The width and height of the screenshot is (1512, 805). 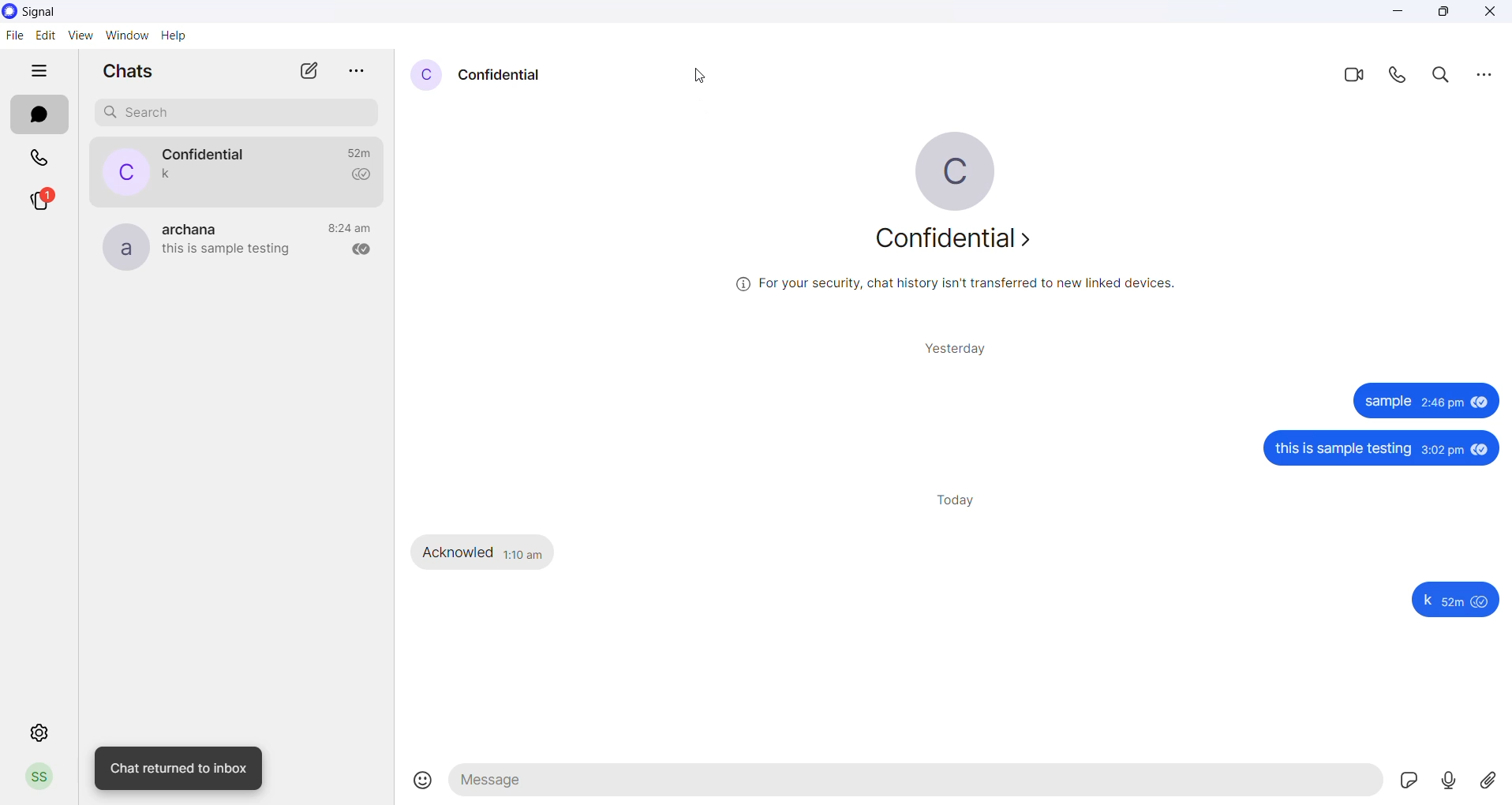 What do you see at coordinates (126, 173) in the screenshot?
I see `profile picture` at bounding box center [126, 173].